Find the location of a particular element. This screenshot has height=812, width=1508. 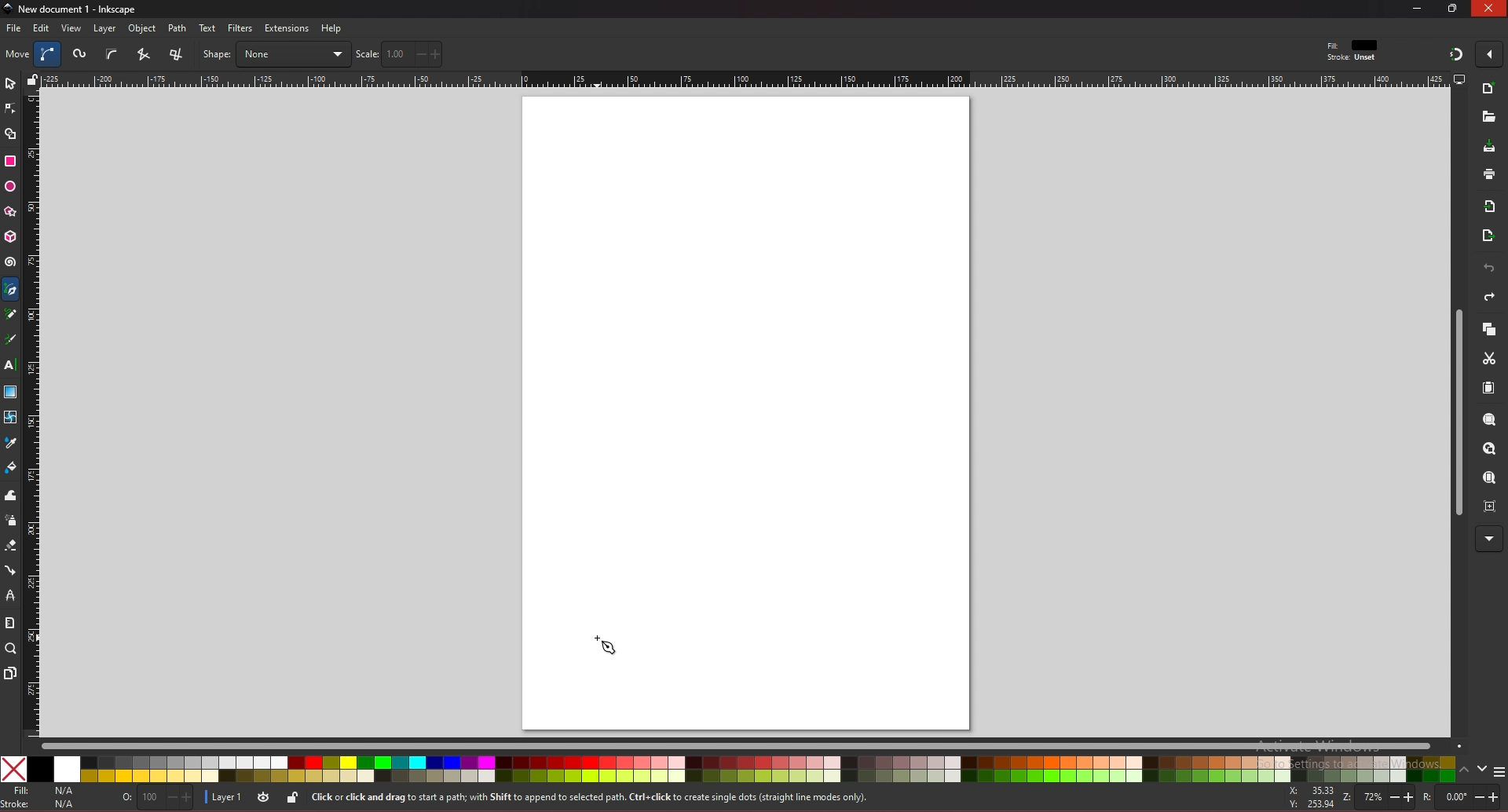

lpe is located at coordinates (11, 594).